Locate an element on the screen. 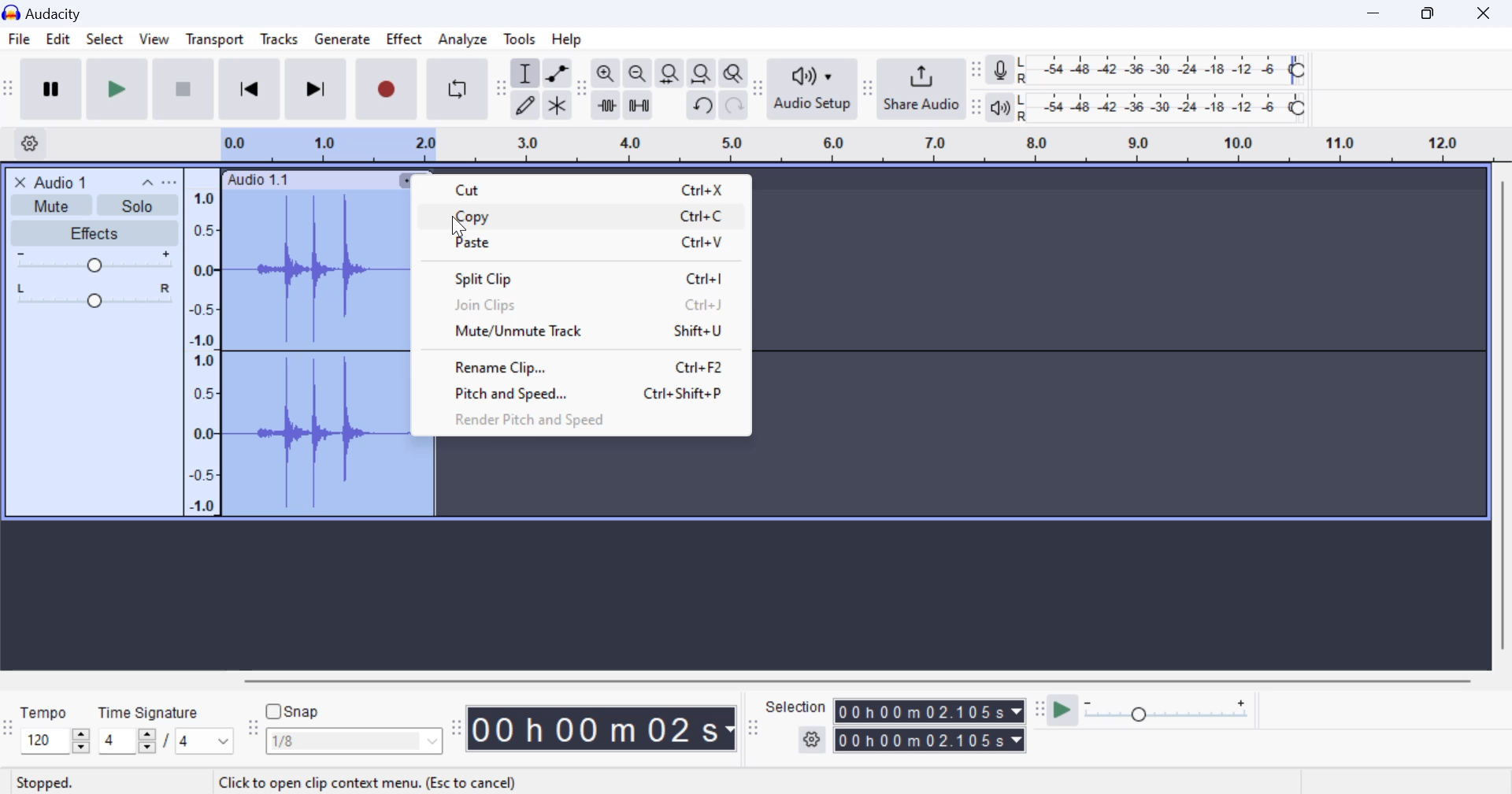  Audio Clip is located at coordinates (309, 354).